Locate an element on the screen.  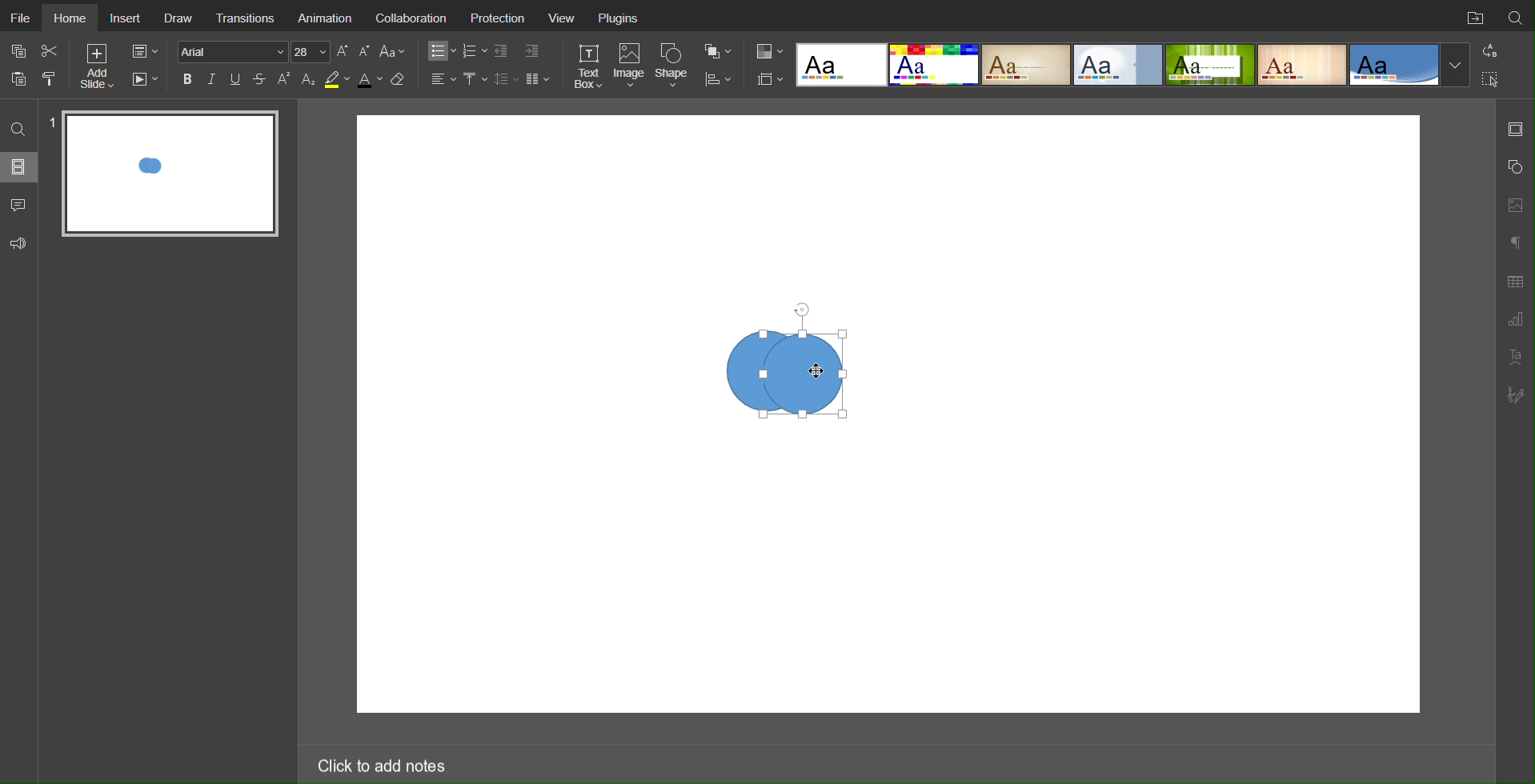
Comments is located at coordinates (20, 205).